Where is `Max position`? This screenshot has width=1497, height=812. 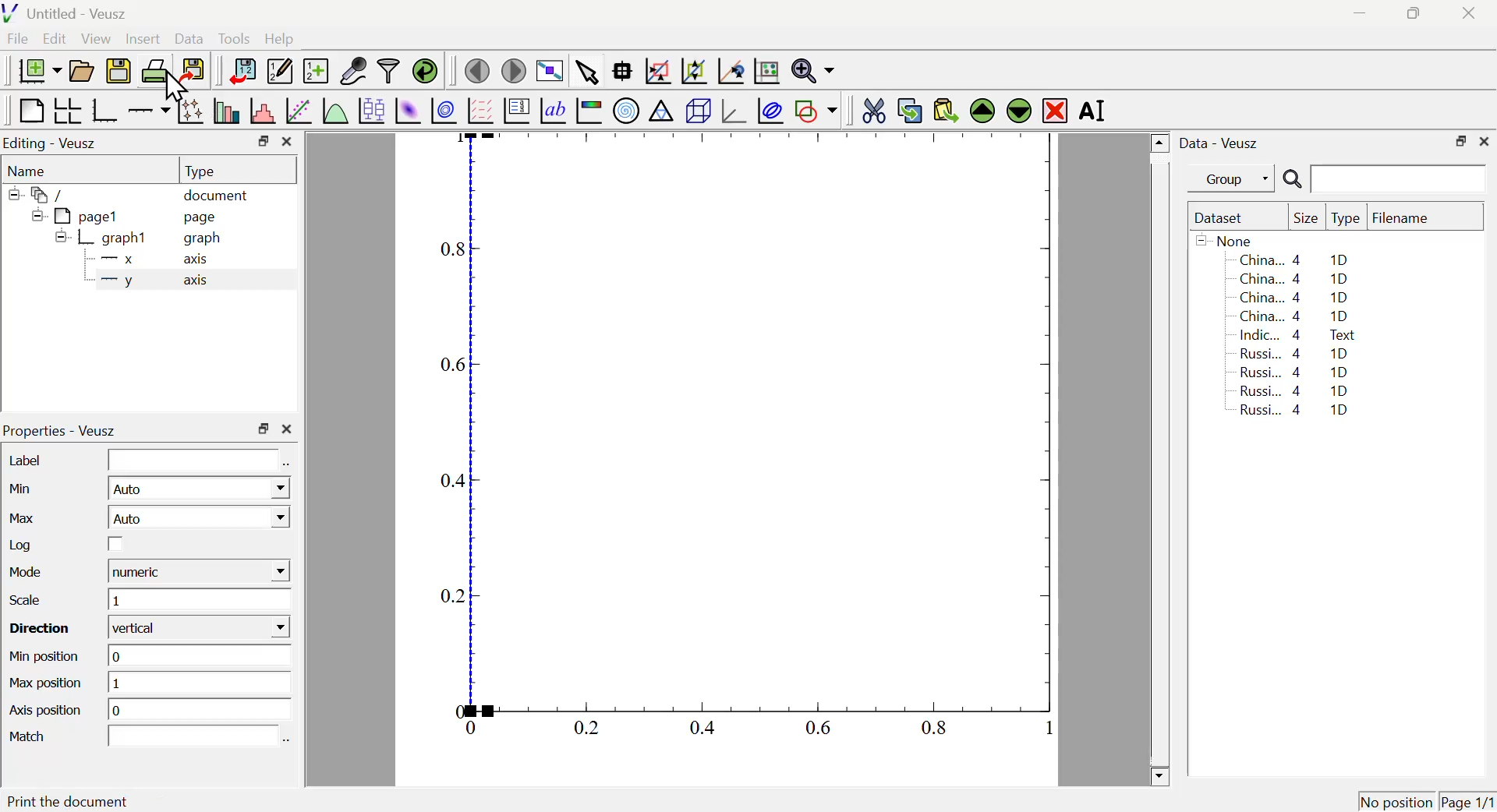
Max position is located at coordinates (48, 684).